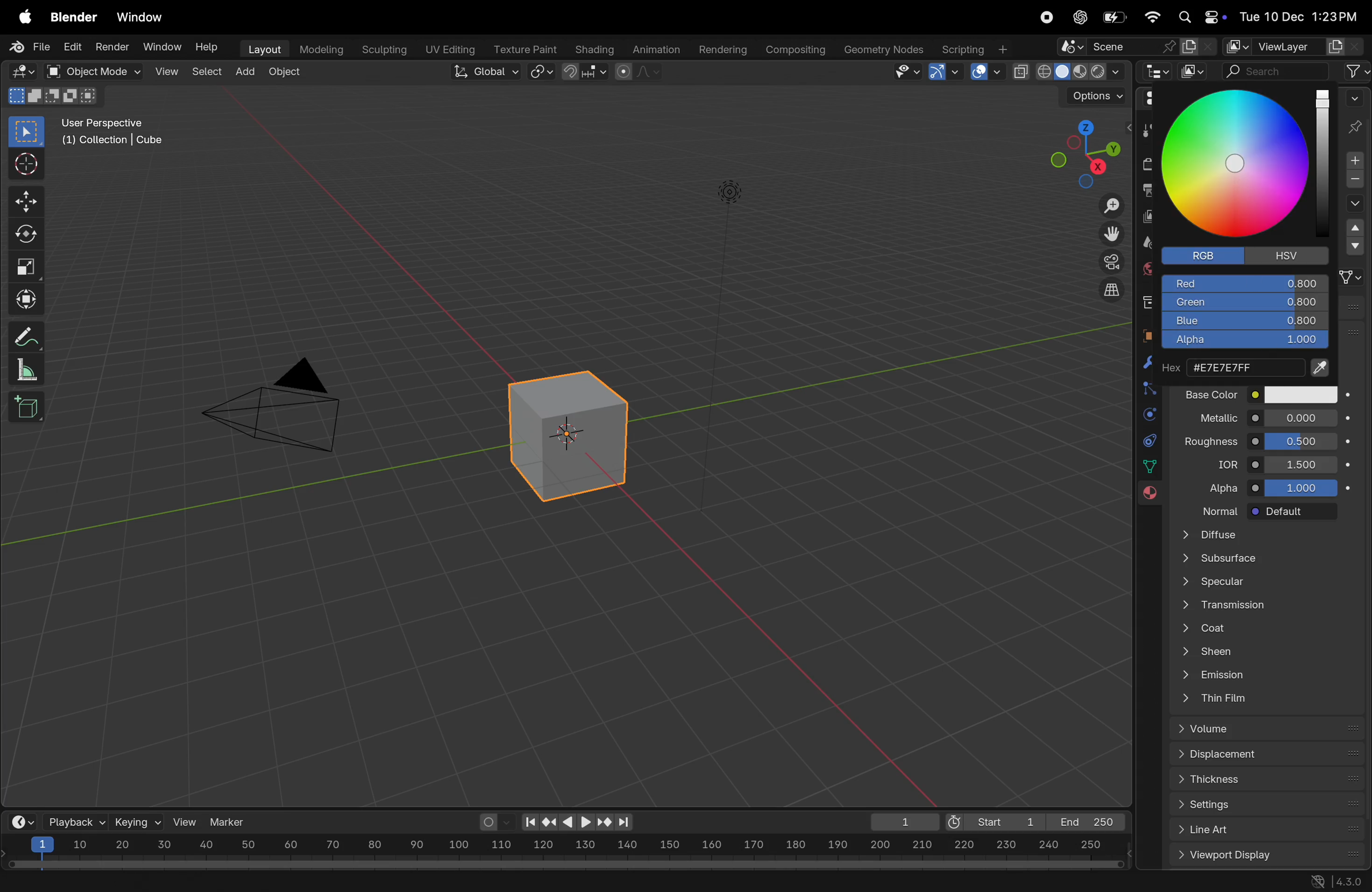 This screenshot has width=1372, height=892. Describe the element at coordinates (1046, 18) in the screenshot. I see `record` at that location.